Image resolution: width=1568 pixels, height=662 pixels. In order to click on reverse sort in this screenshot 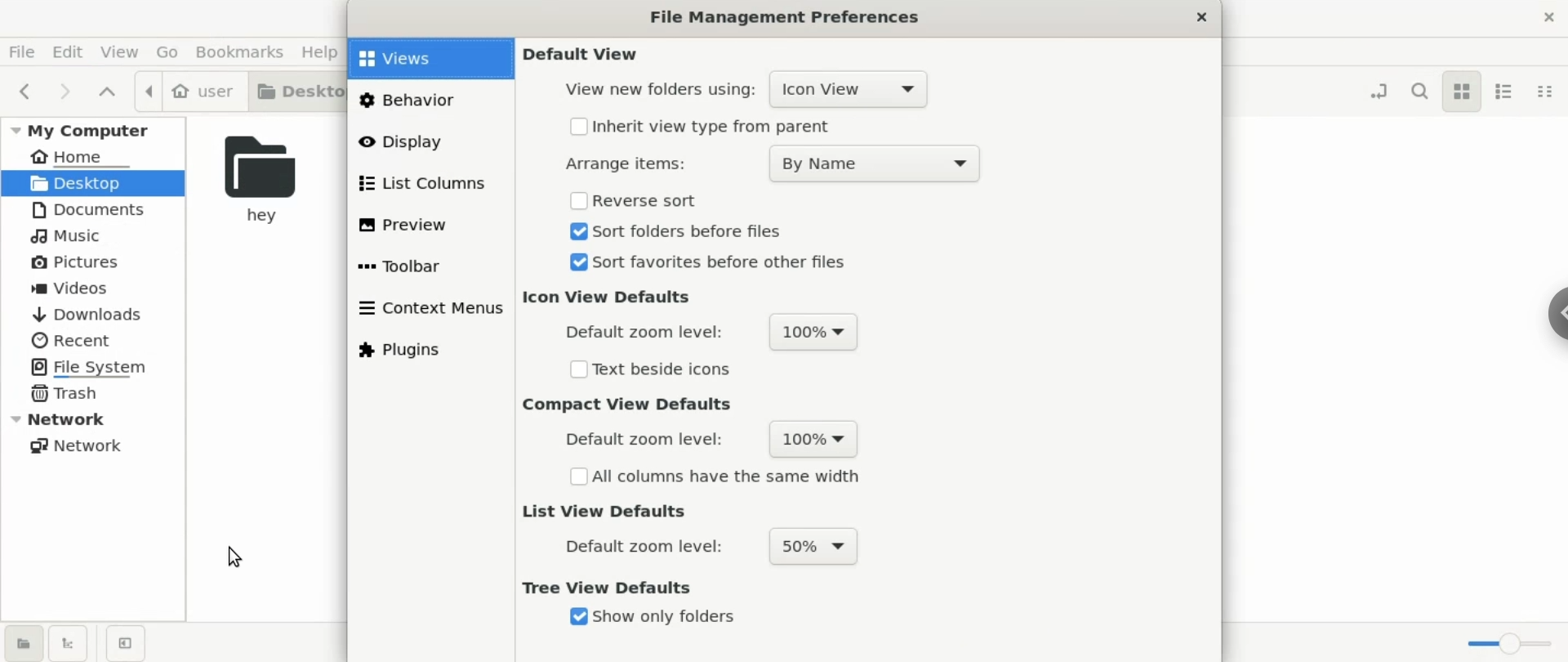, I will do `click(644, 200)`.